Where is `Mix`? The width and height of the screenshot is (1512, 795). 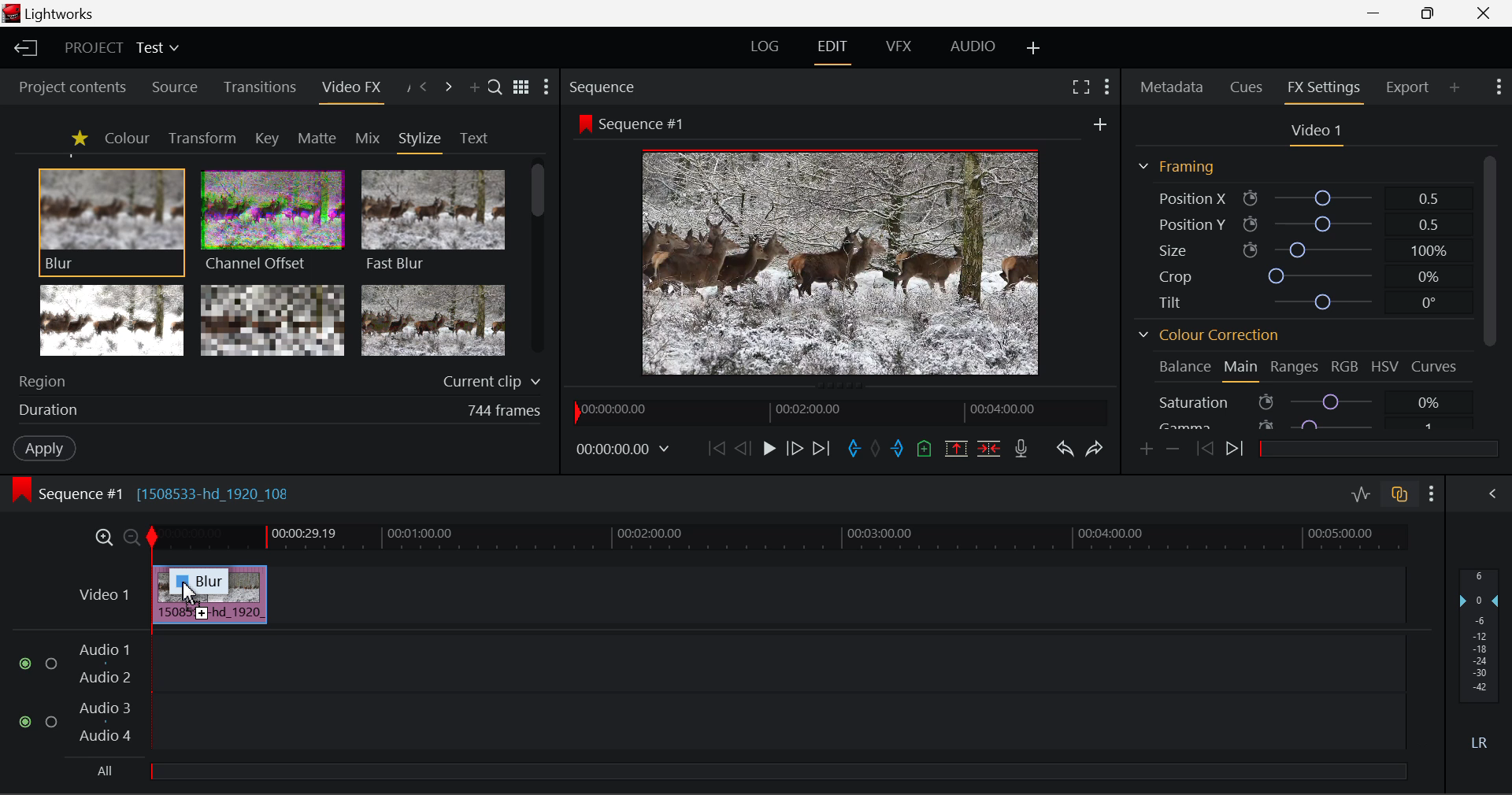
Mix is located at coordinates (367, 137).